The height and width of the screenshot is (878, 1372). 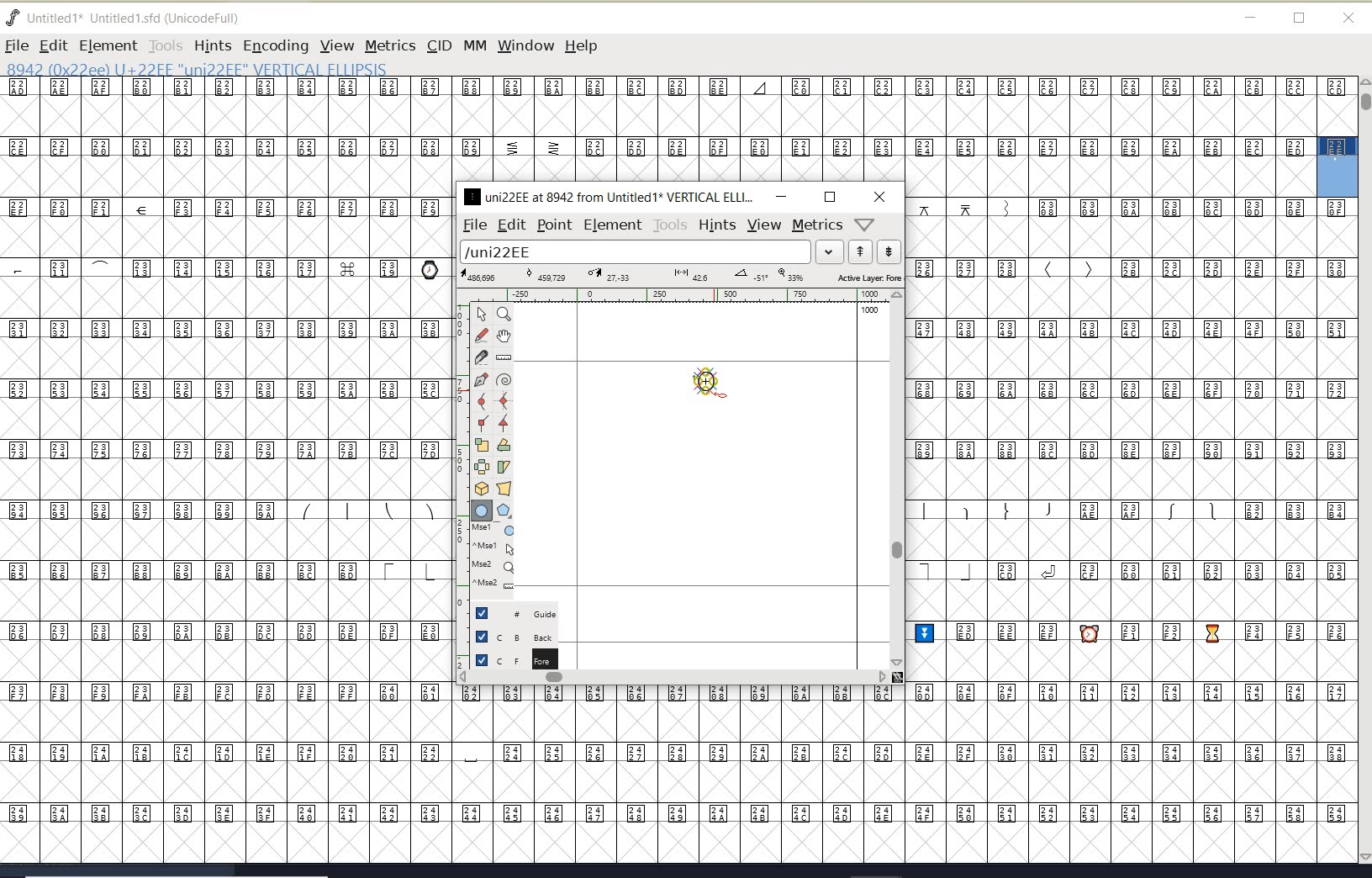 I want to click on background, so click(x=517, y=636).